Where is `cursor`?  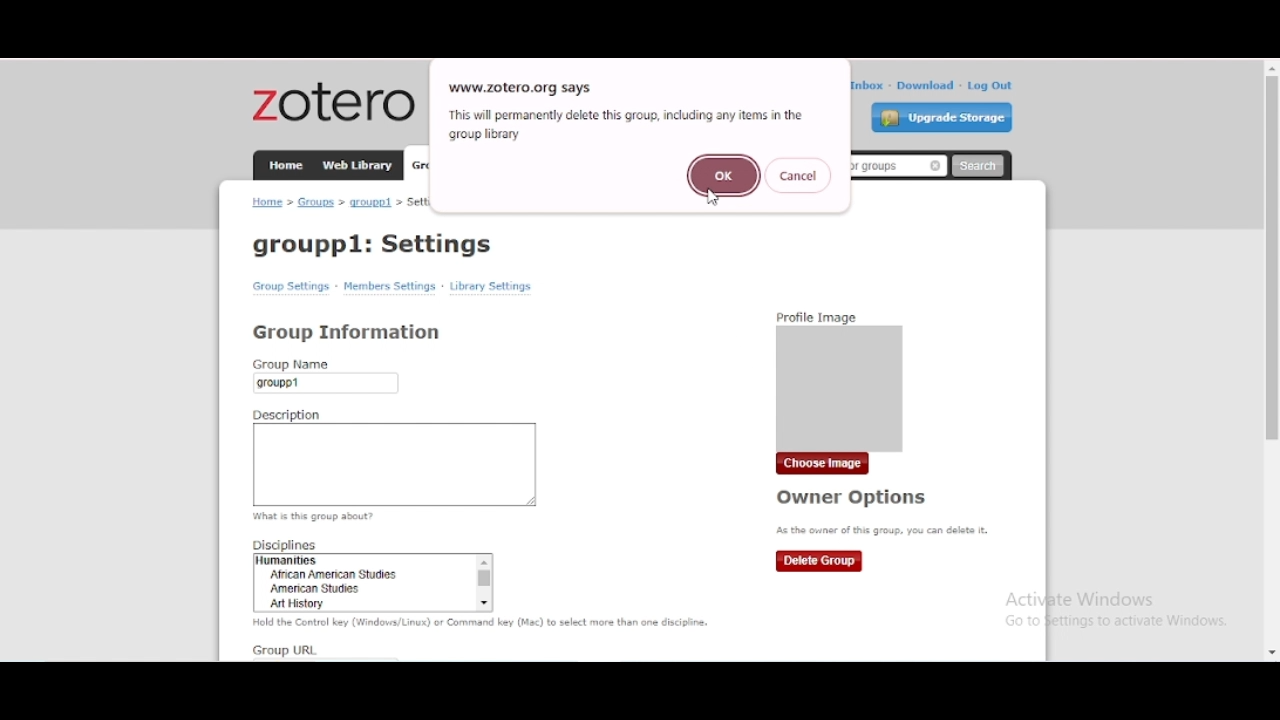
cursor is located at coordinates (711, 199).